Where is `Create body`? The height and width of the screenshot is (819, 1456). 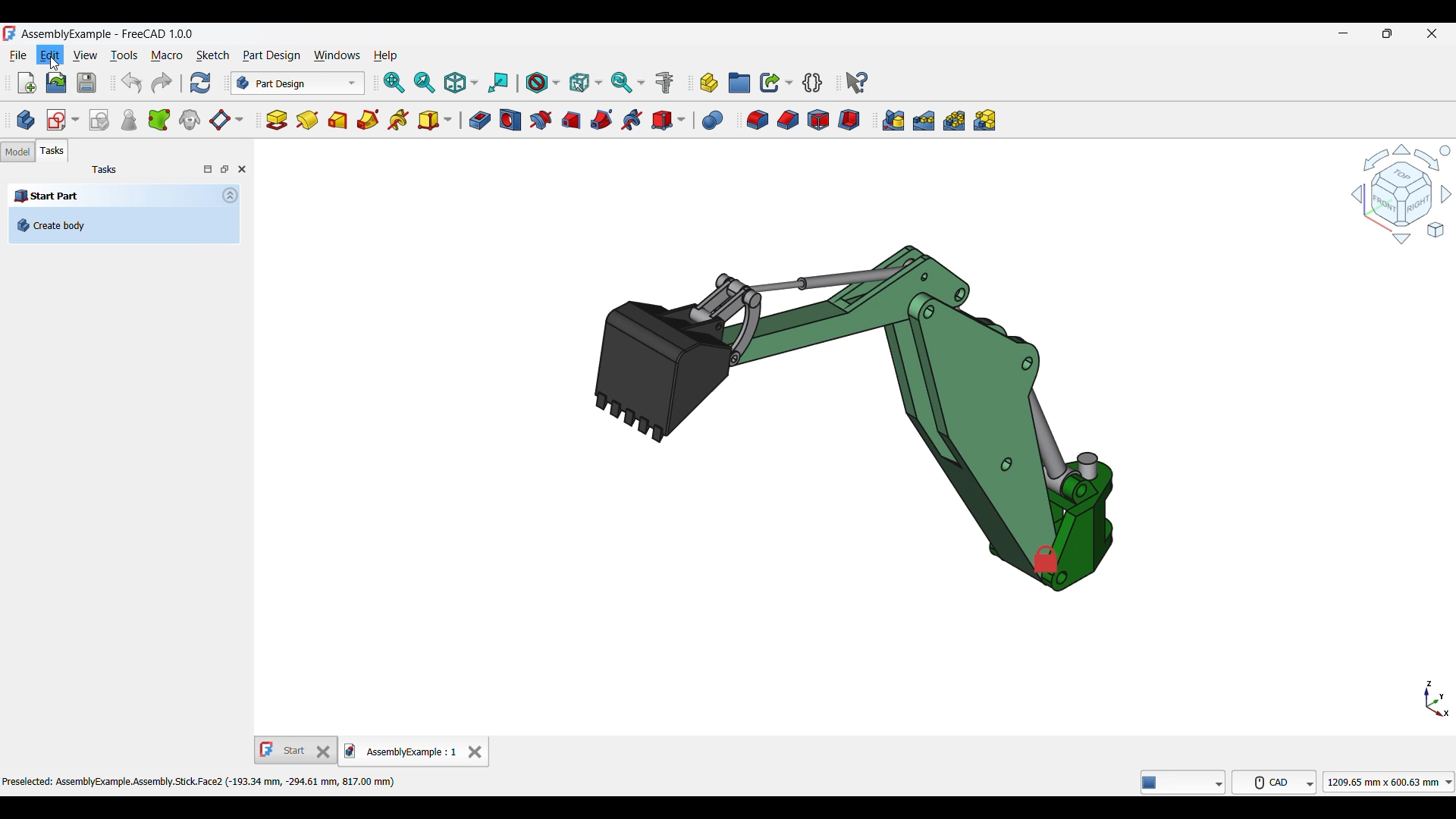 Create body is located at coordinates (26, 120).